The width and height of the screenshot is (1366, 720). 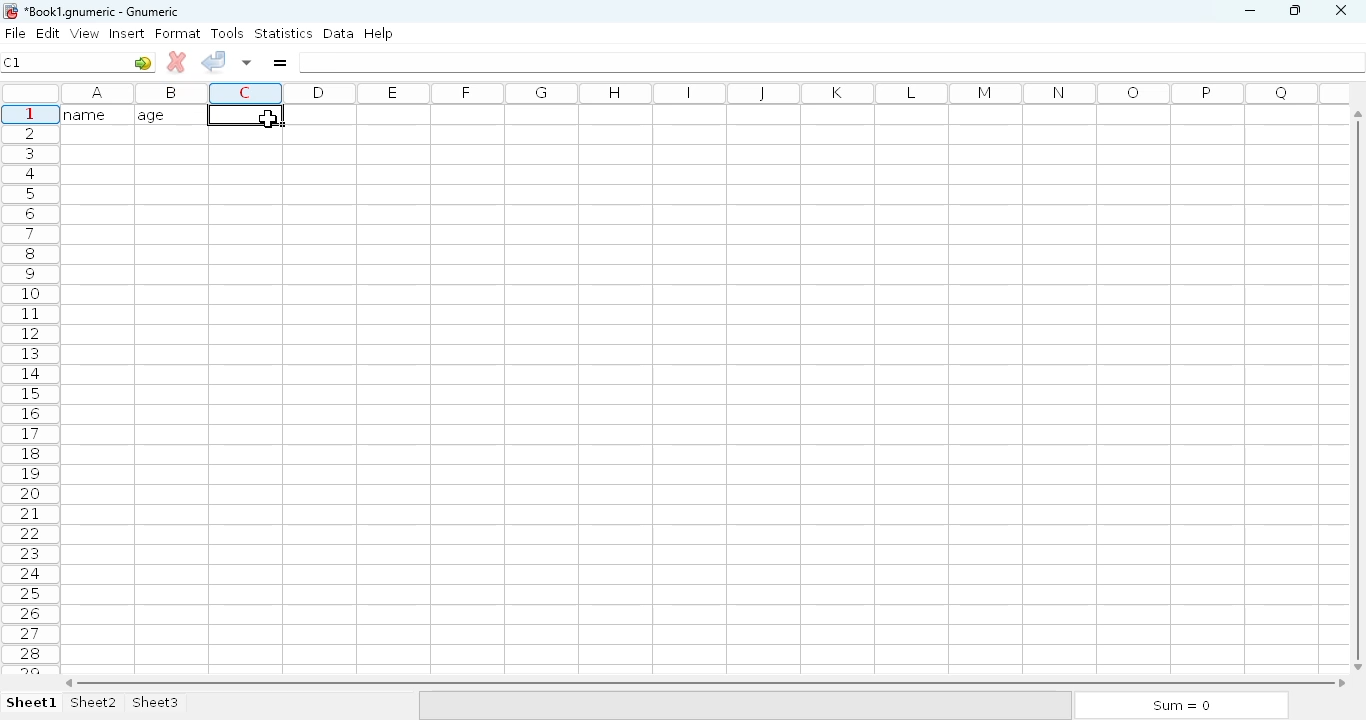 What do you see at coordinates (15, 33) in the screenshot?
I see `file` at bounding box center [15, 33].